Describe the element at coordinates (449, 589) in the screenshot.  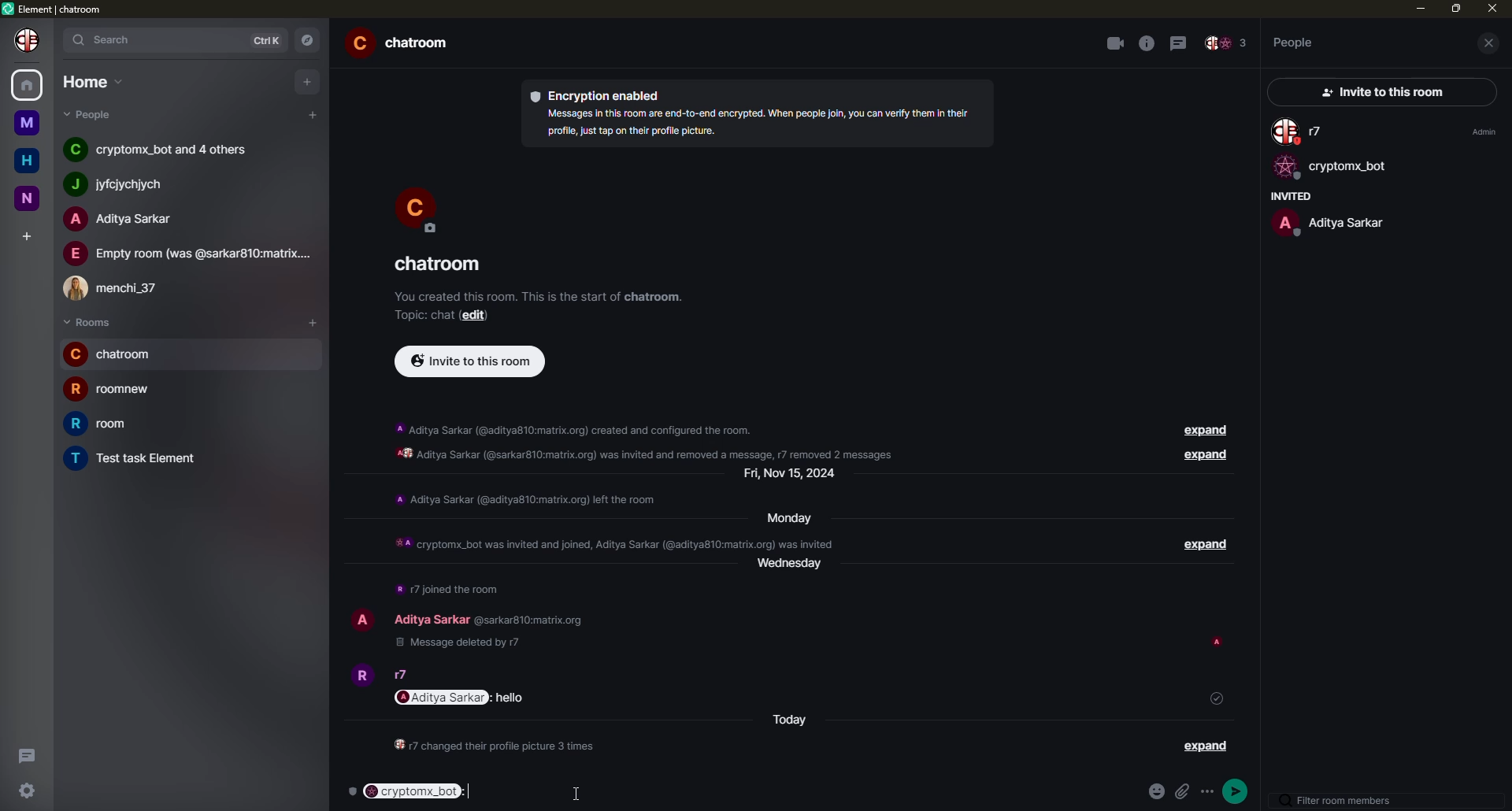
I see `info` at that location.